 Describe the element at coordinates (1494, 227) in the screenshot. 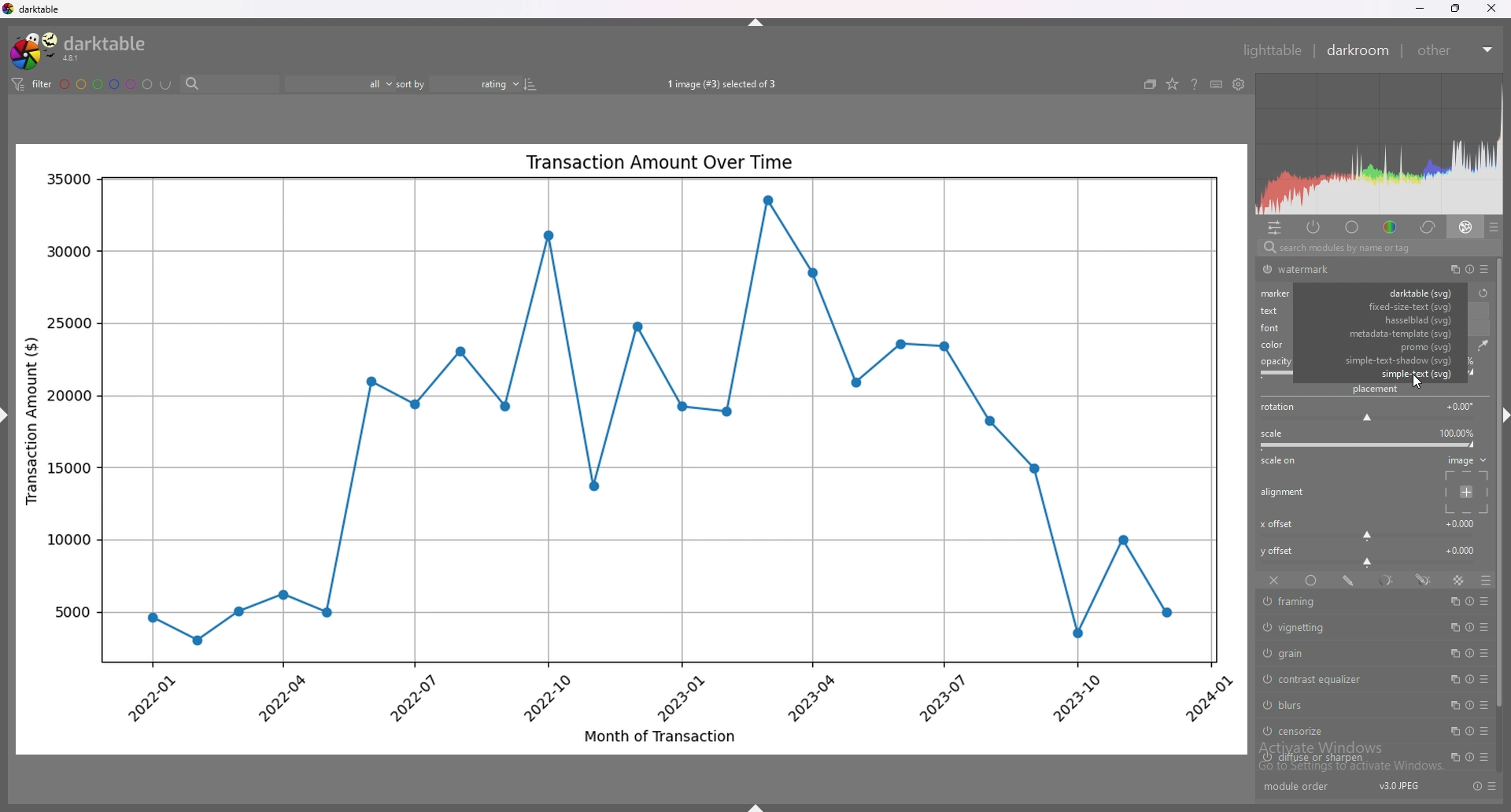

I see `presets` at that location.